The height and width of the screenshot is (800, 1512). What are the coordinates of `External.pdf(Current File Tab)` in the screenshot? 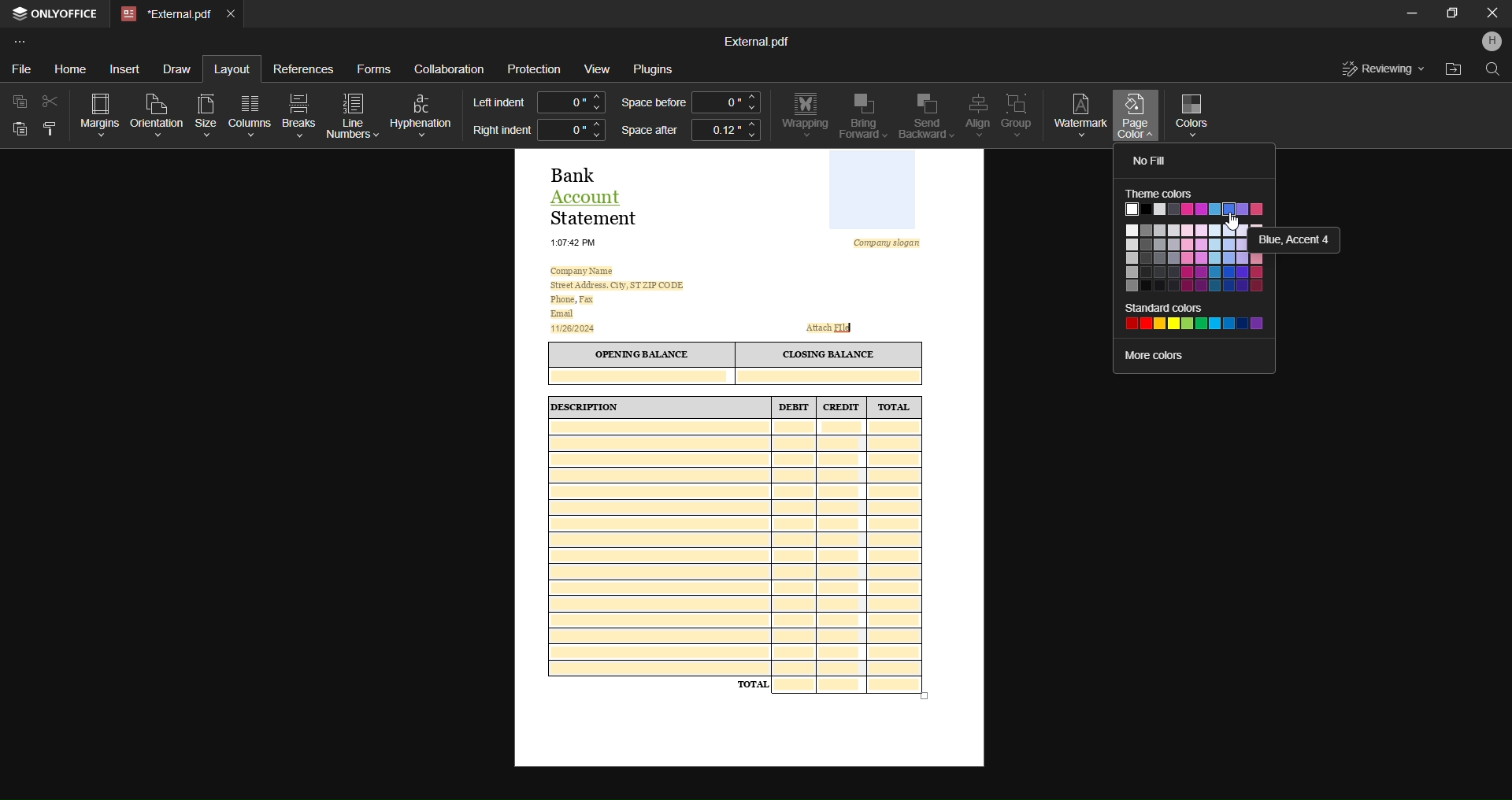 It's located at (166, 15).